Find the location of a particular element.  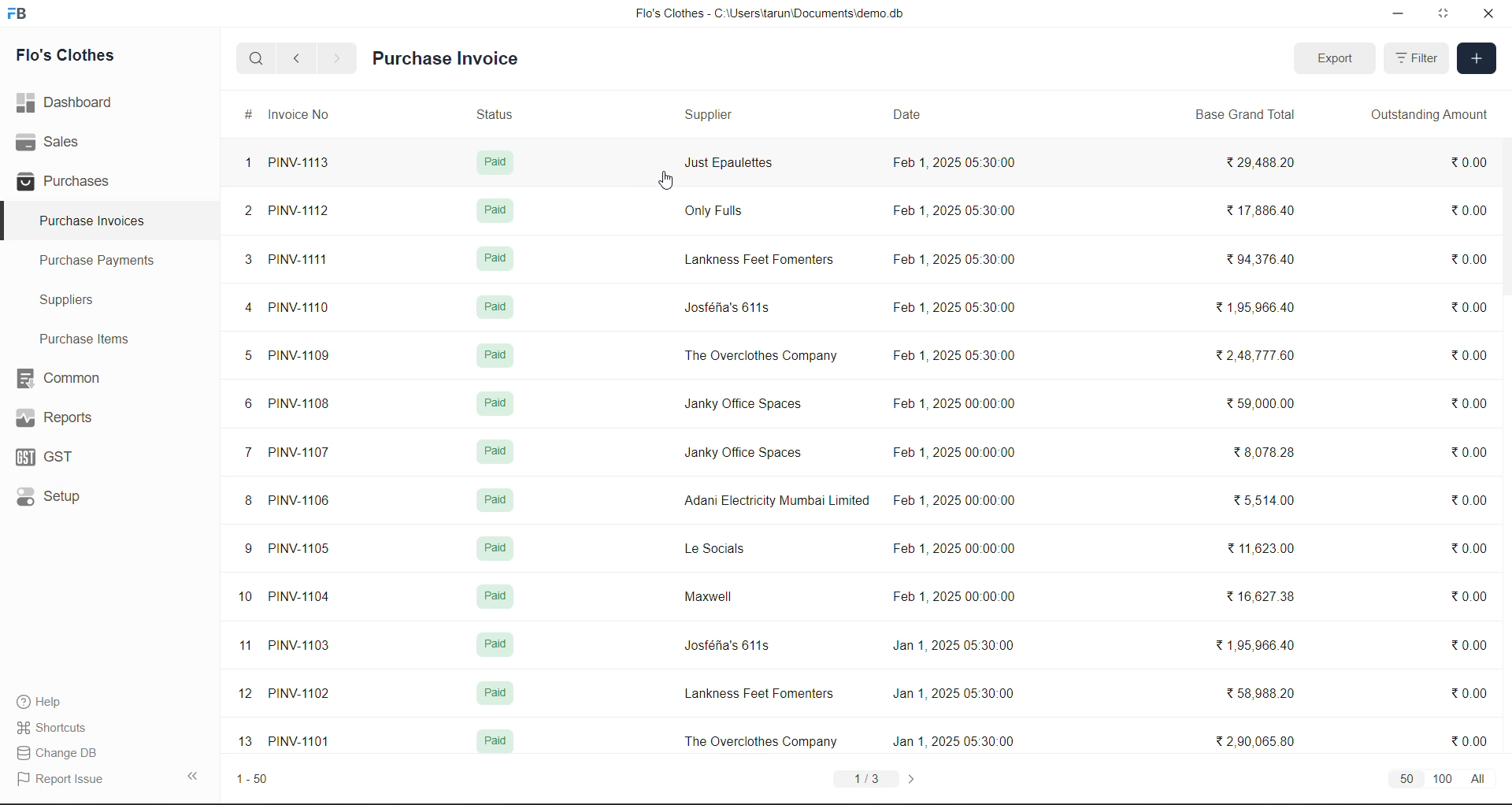

+ is located at coordinates (1477, 60).